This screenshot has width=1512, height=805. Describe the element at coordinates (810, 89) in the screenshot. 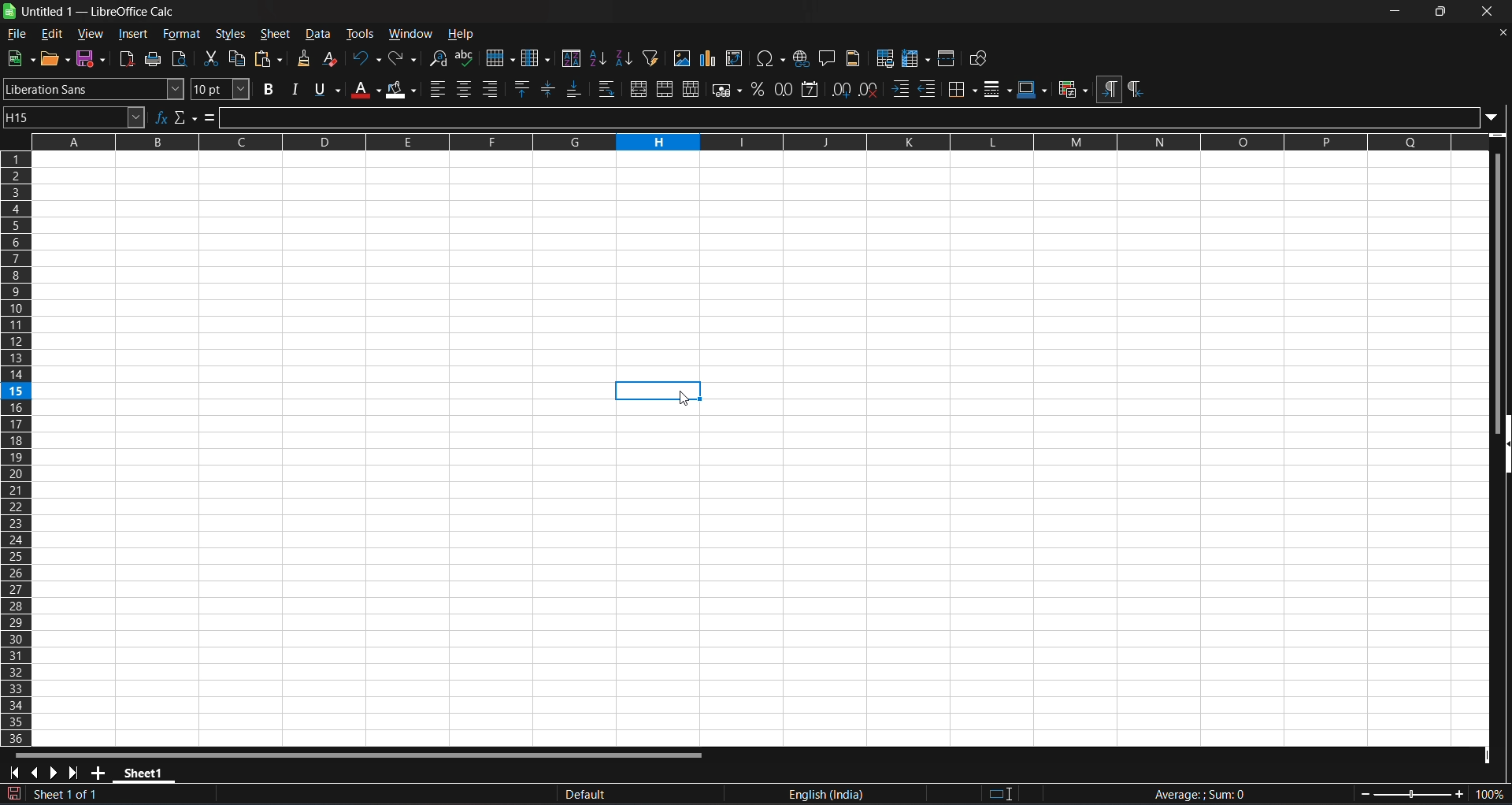

I see `format as date` at that location.